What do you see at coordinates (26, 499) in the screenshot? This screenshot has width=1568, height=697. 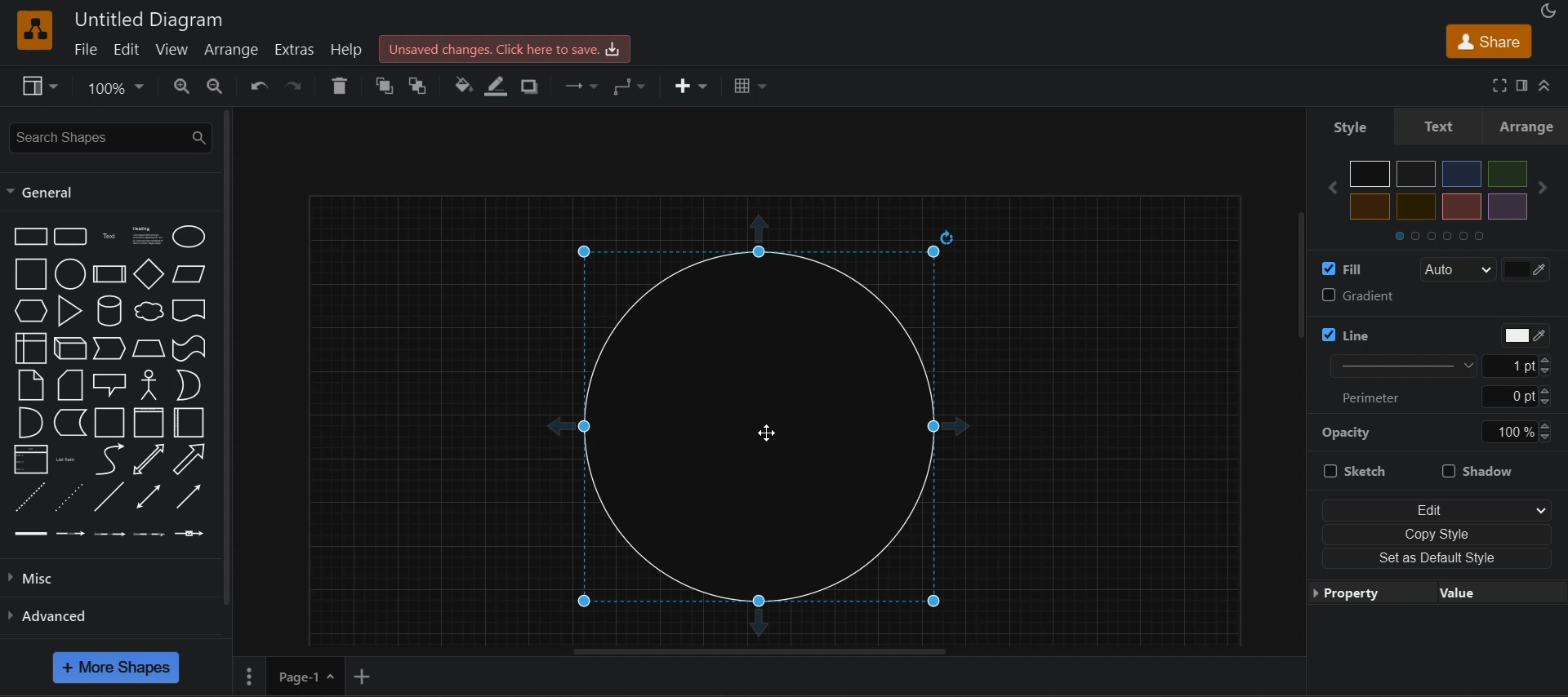 I see `dashed line` at bounding box center [26, 499].